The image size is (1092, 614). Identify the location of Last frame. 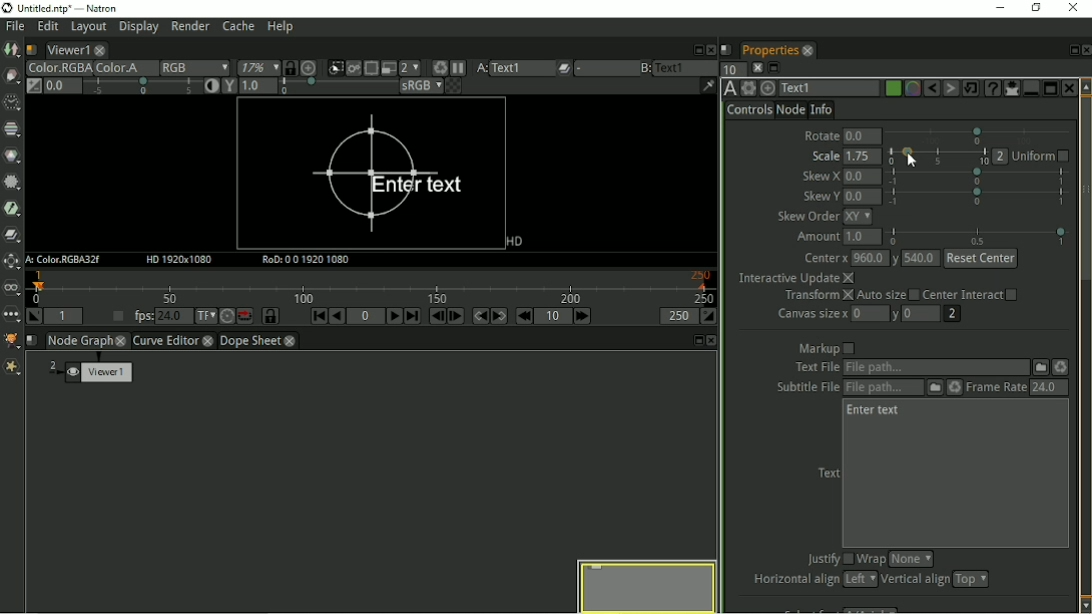
(413, 317).